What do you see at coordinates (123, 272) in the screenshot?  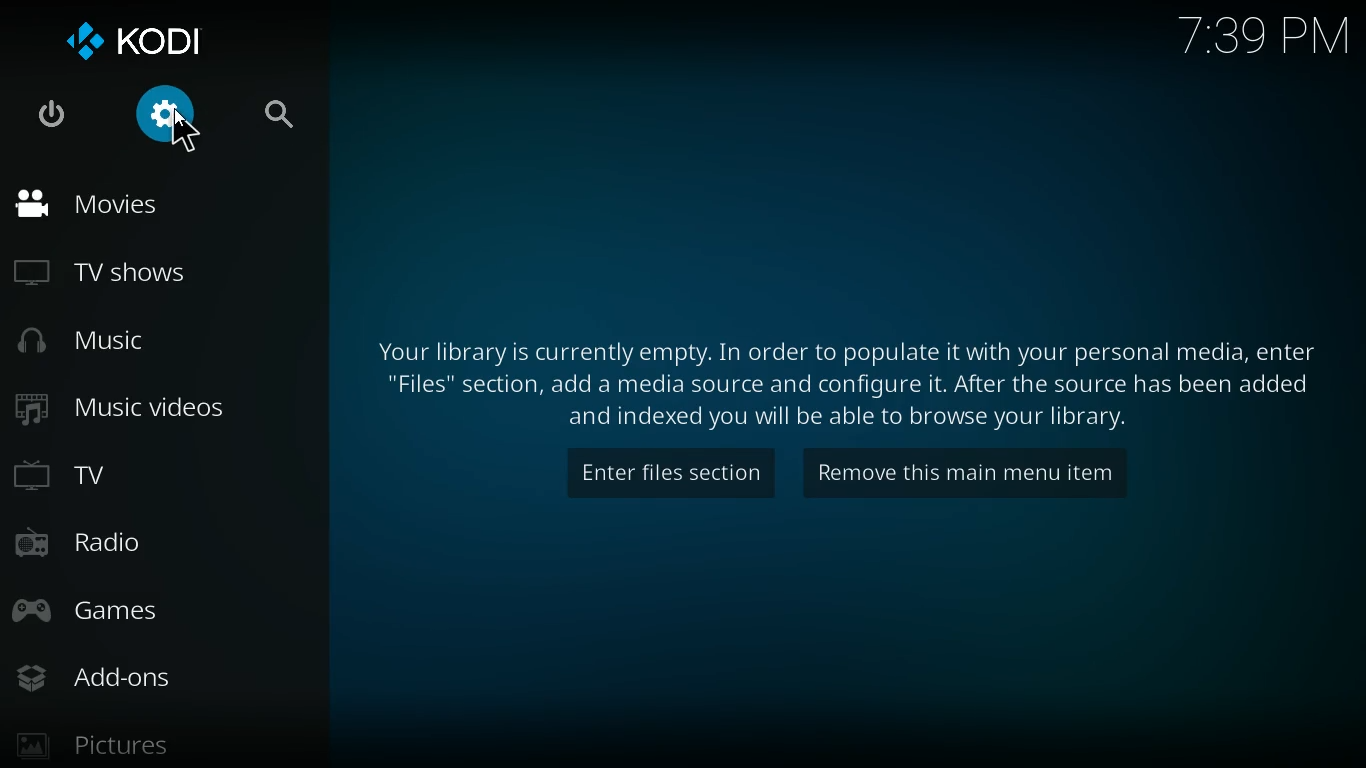 I see `tv shows` at bounding box center [123, 272].